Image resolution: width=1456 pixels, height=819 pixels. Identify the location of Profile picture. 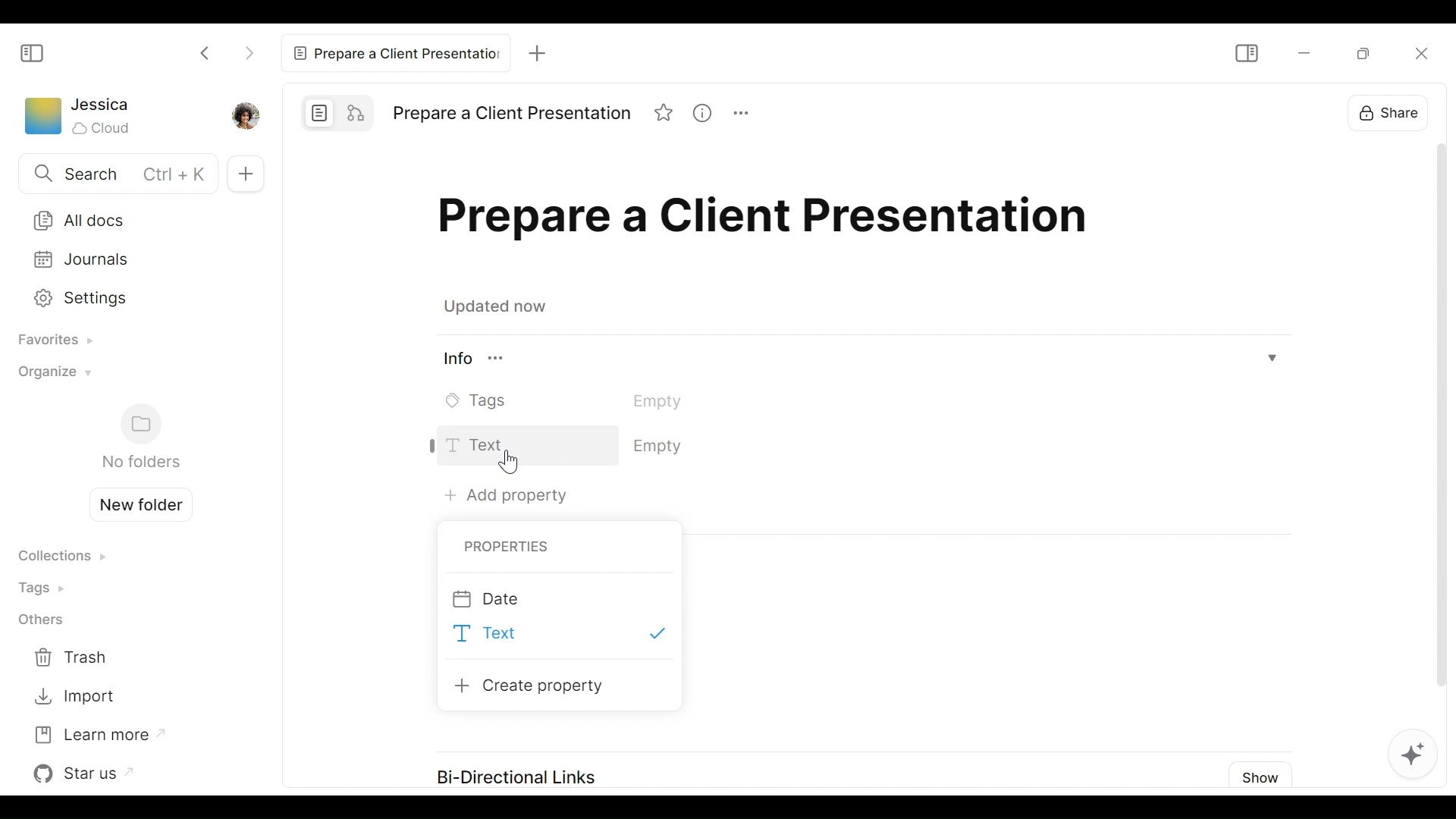
(243, 115).